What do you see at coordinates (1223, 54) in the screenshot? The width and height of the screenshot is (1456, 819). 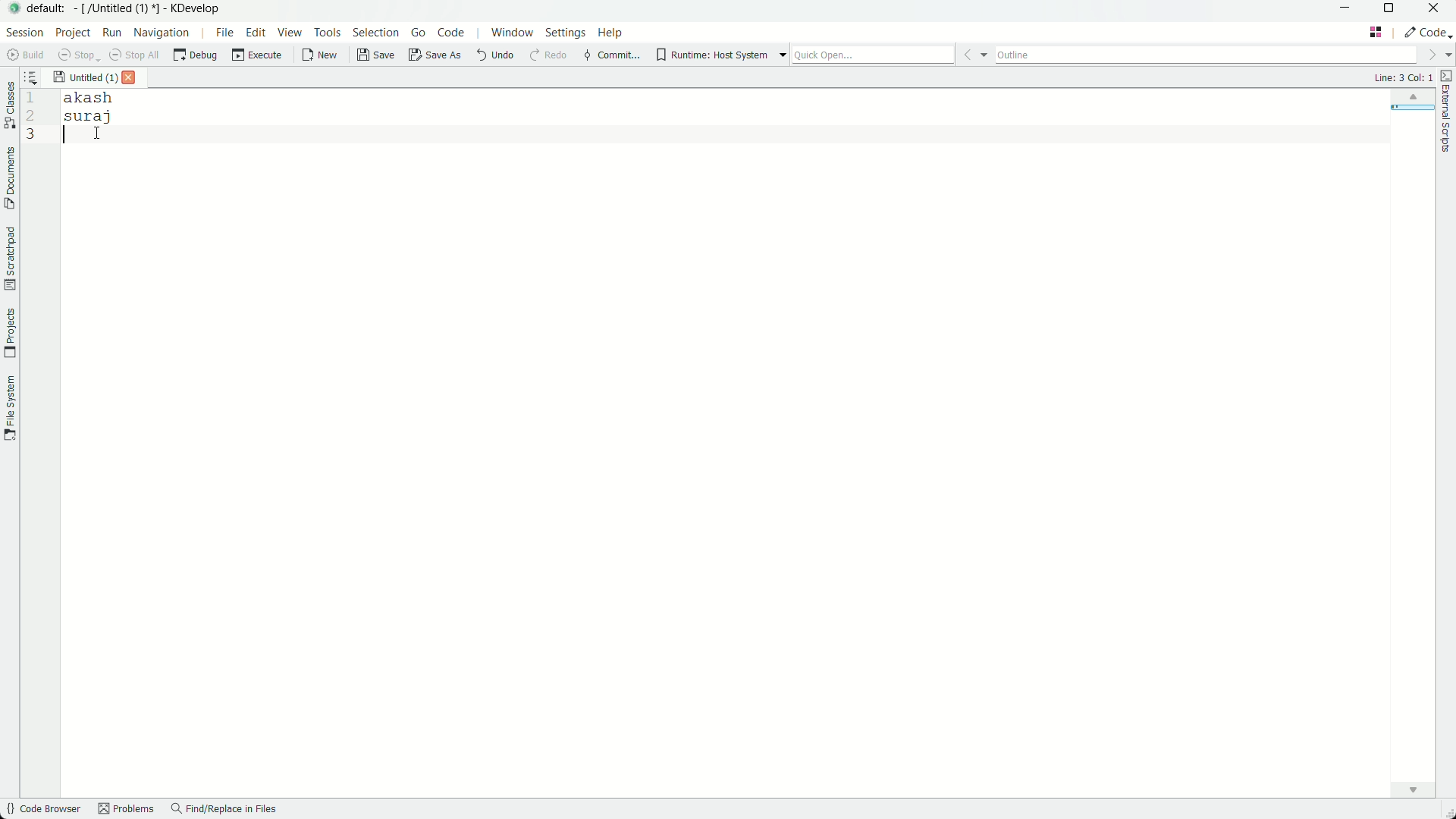 I see `outline` at bounding box center [1223, 54].